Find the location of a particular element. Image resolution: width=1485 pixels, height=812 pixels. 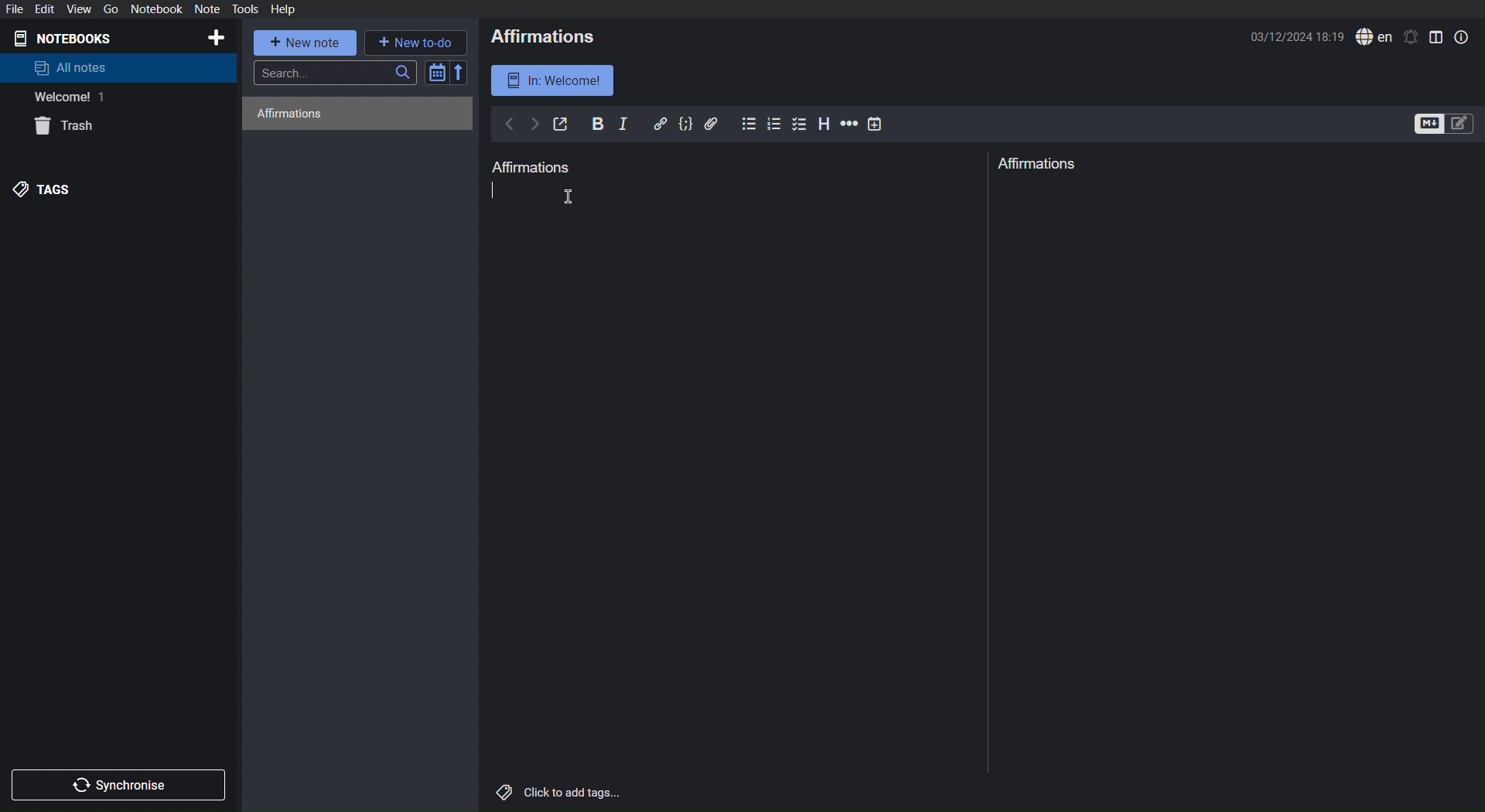

Synchronize is located at coordinates (121, 783).